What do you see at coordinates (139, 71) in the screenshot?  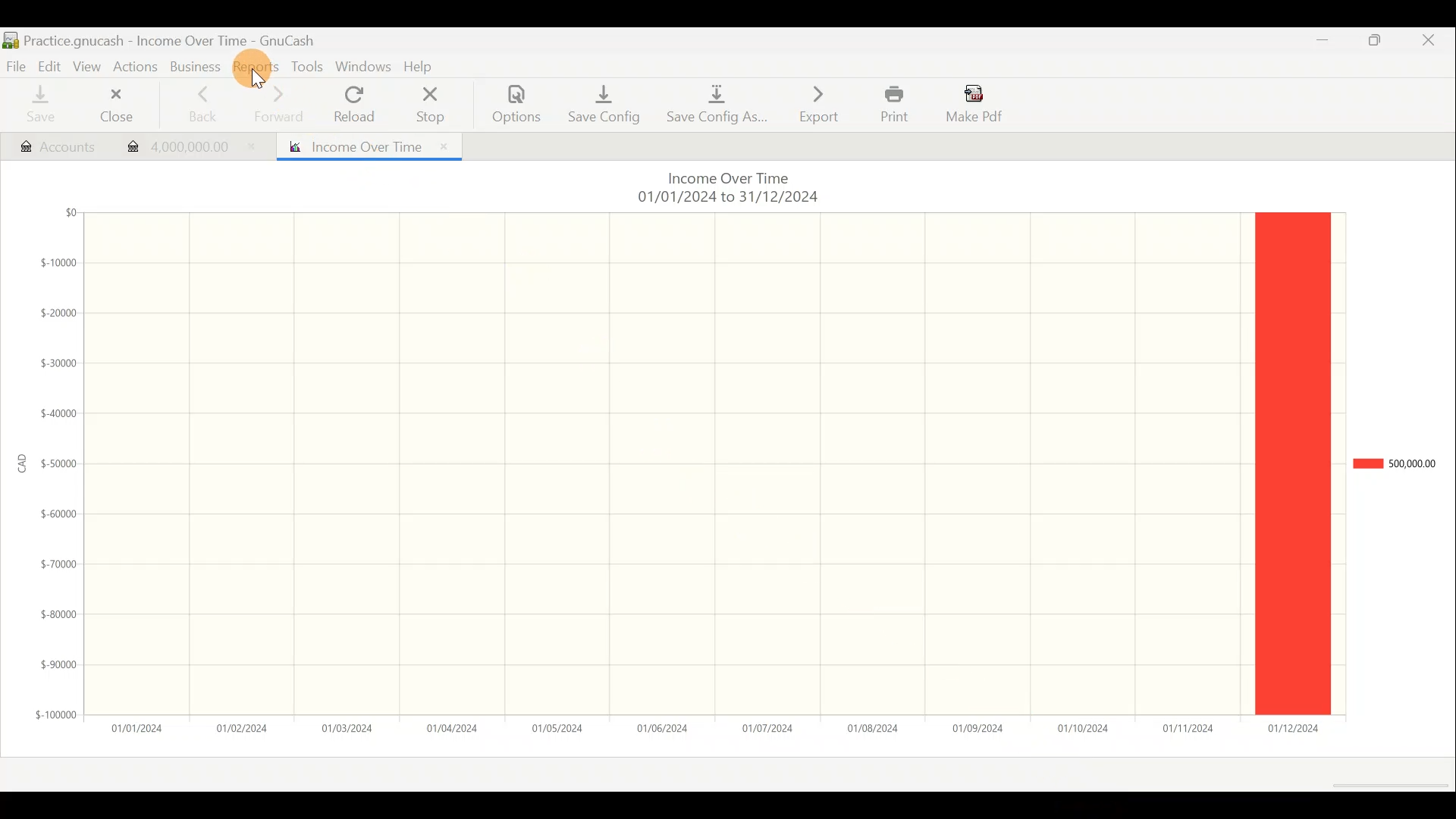 I see `Actions` at bounding box center [139, 71].